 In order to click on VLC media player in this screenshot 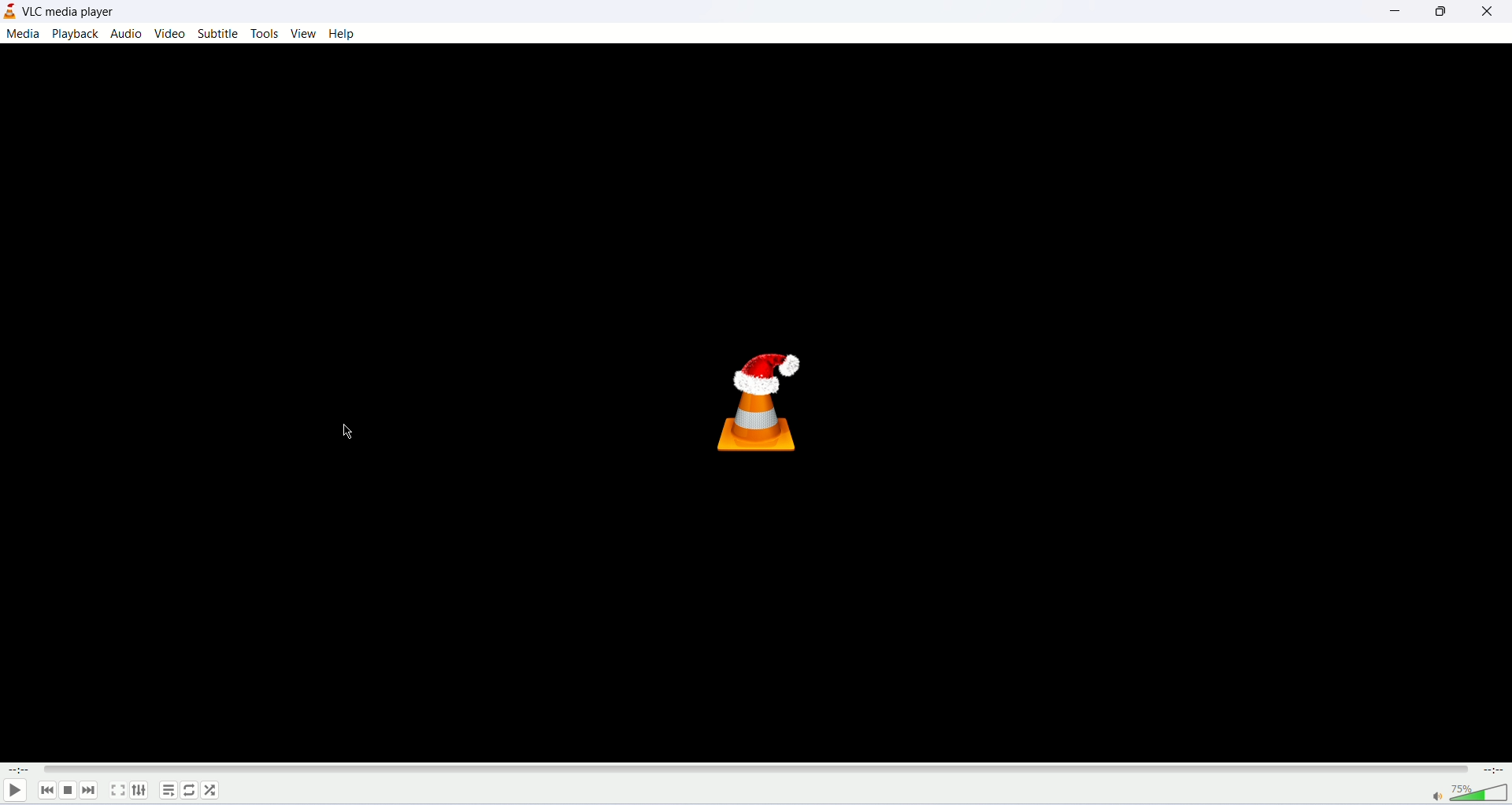, I will do `click(73, 11)`.